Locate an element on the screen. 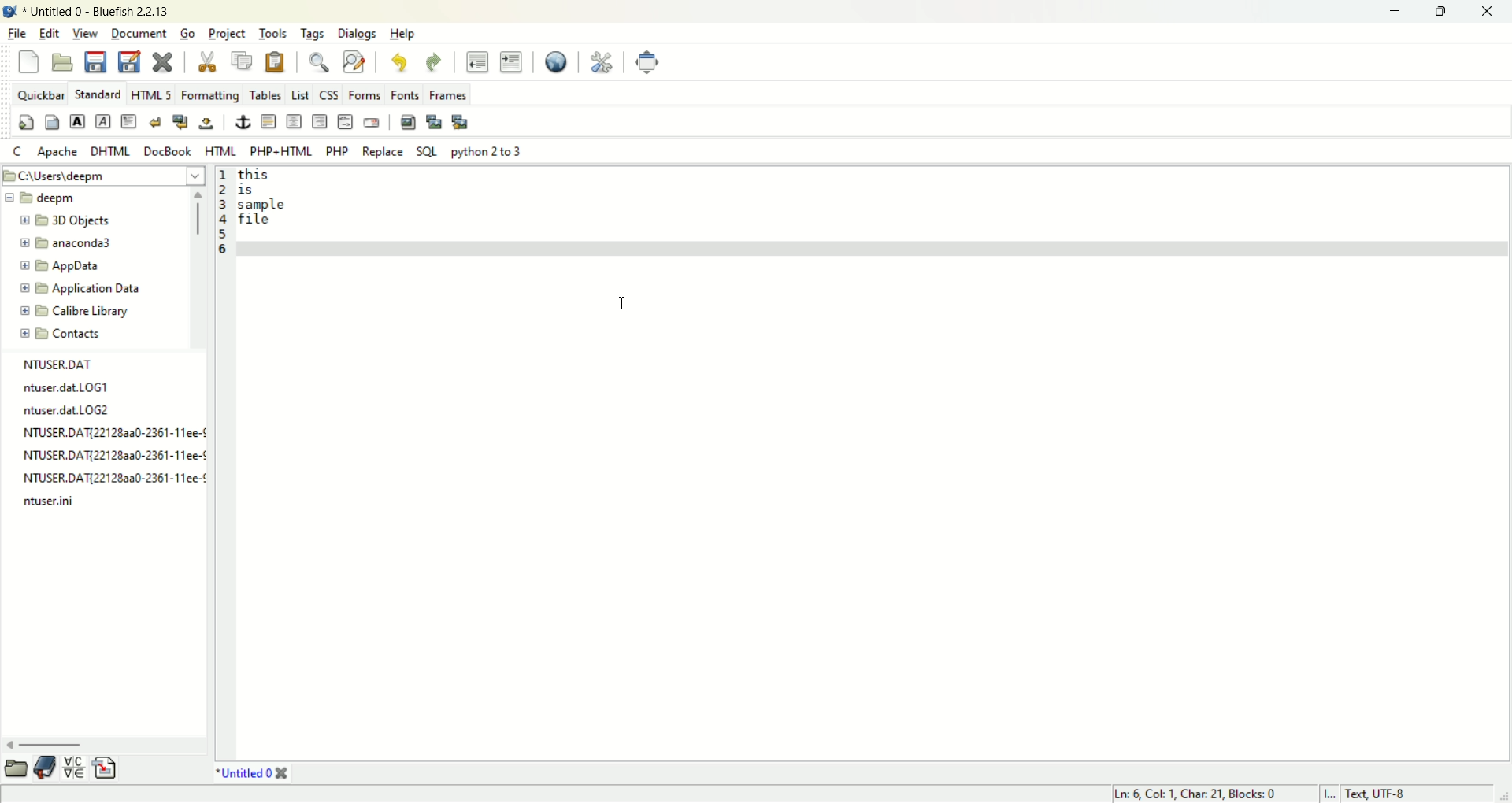 The image size is (1512, 803). anchor is located at coordinates (241, 122).